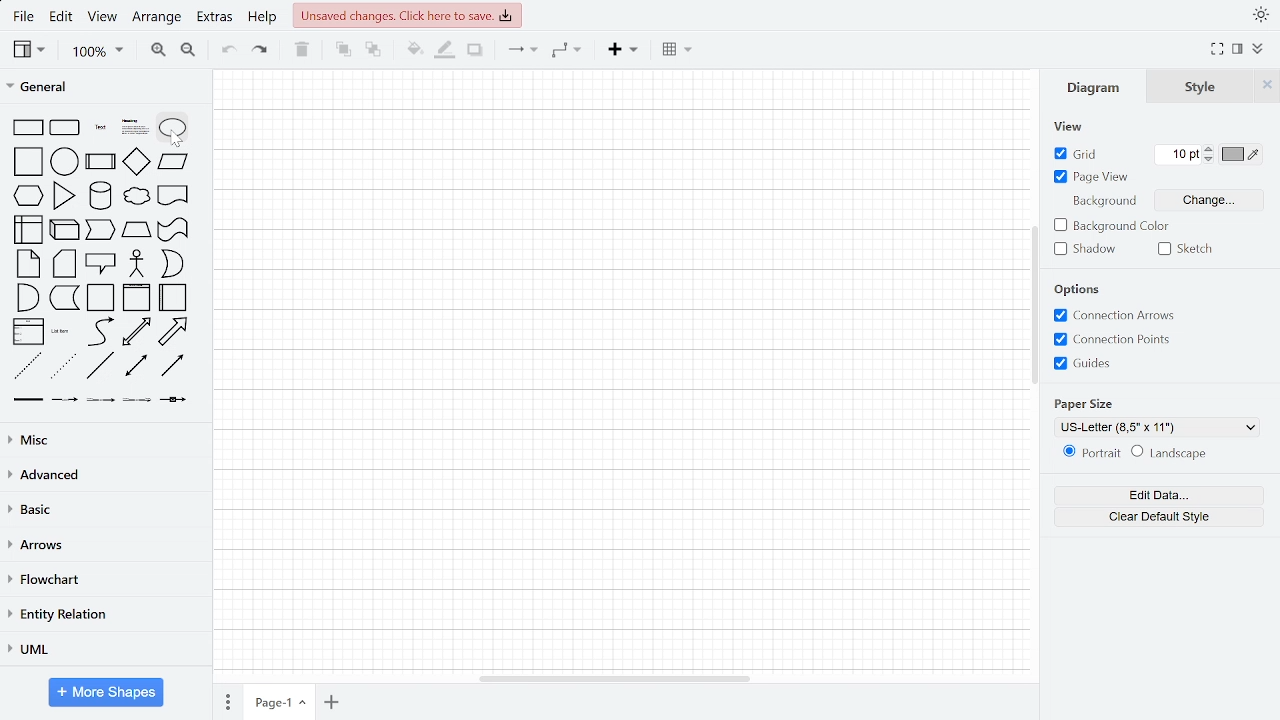 This screenshot has height=720, width=1280. What do you see at coordinates (1211, 160) in the screenshot?
I see `Increase grid pt` at bounding box center [1211, 160].